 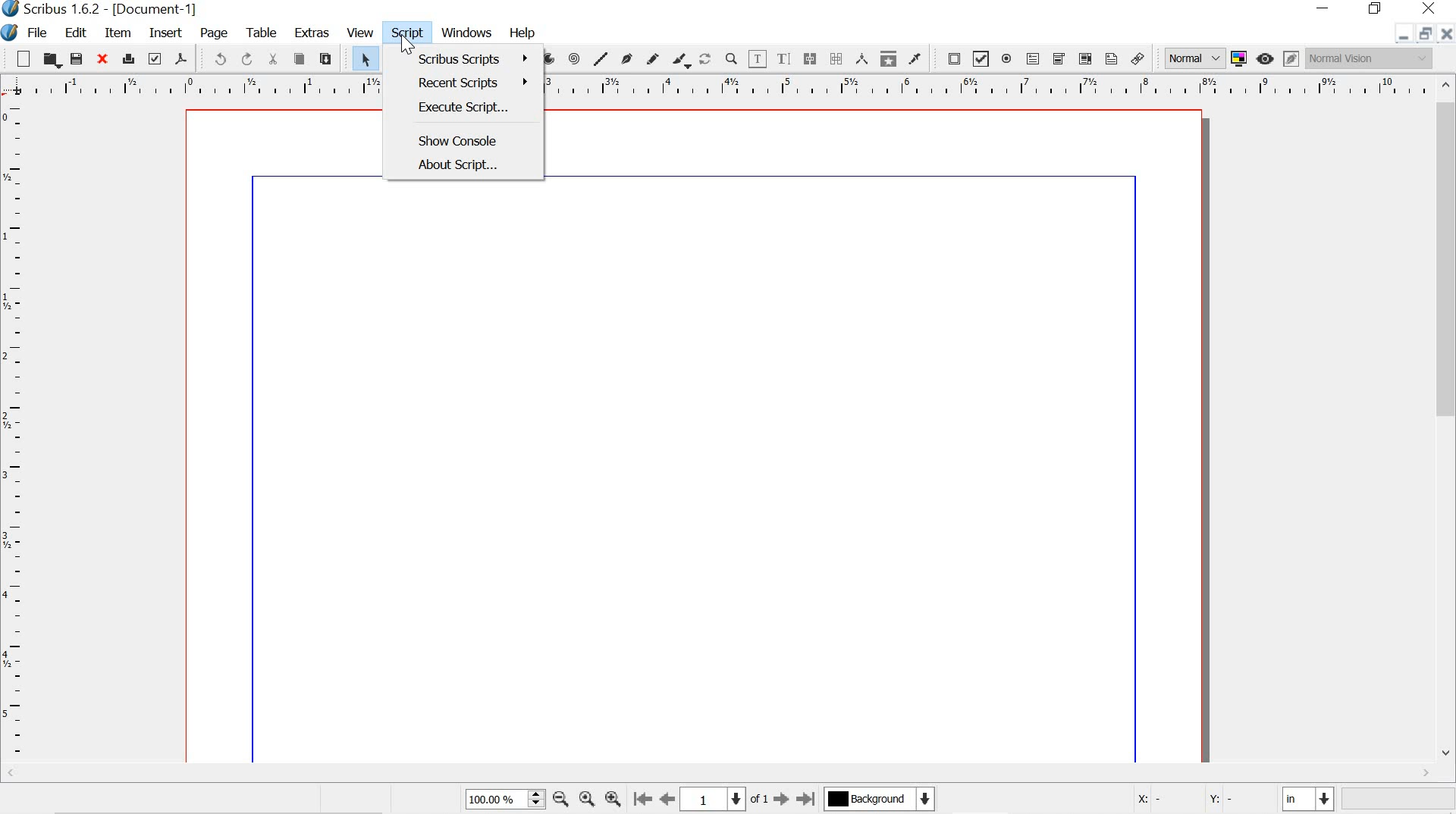 What do you see at coordinates (878, 799) in the screenshot?
I see `Background color` at bounding box center [878, 799].